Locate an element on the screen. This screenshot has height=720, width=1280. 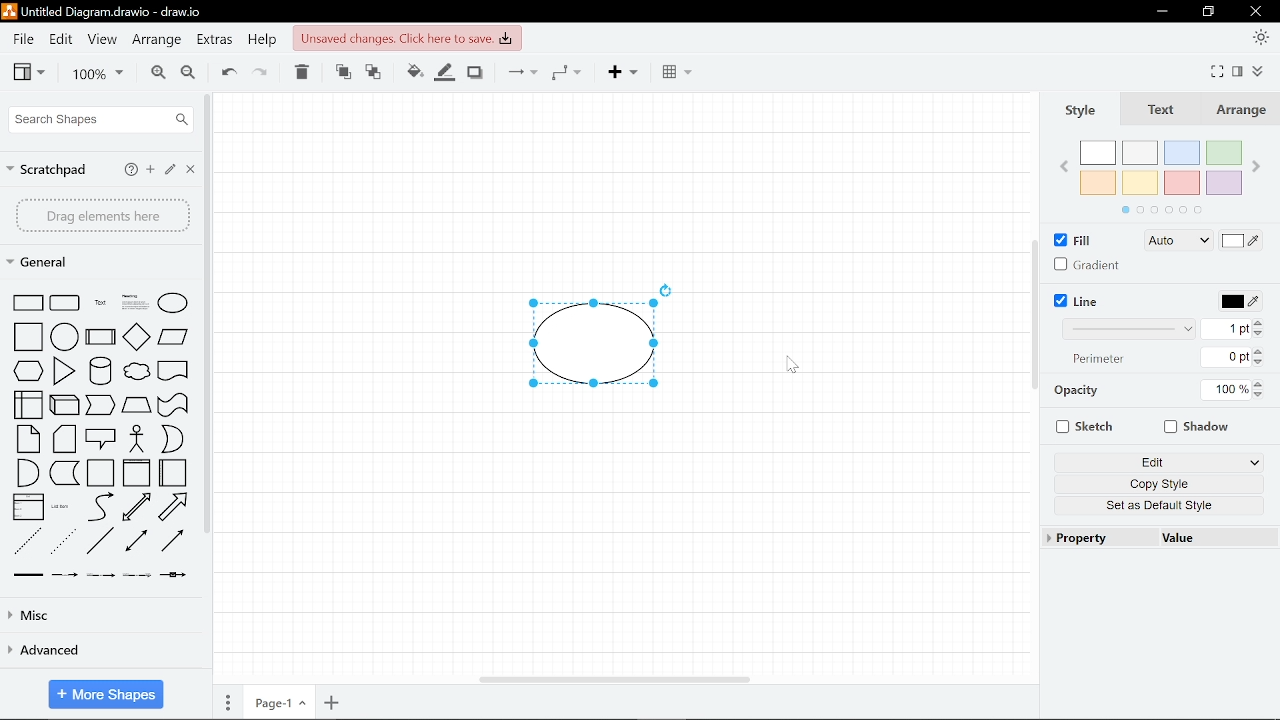
curve is located at coordinates (97, 507).